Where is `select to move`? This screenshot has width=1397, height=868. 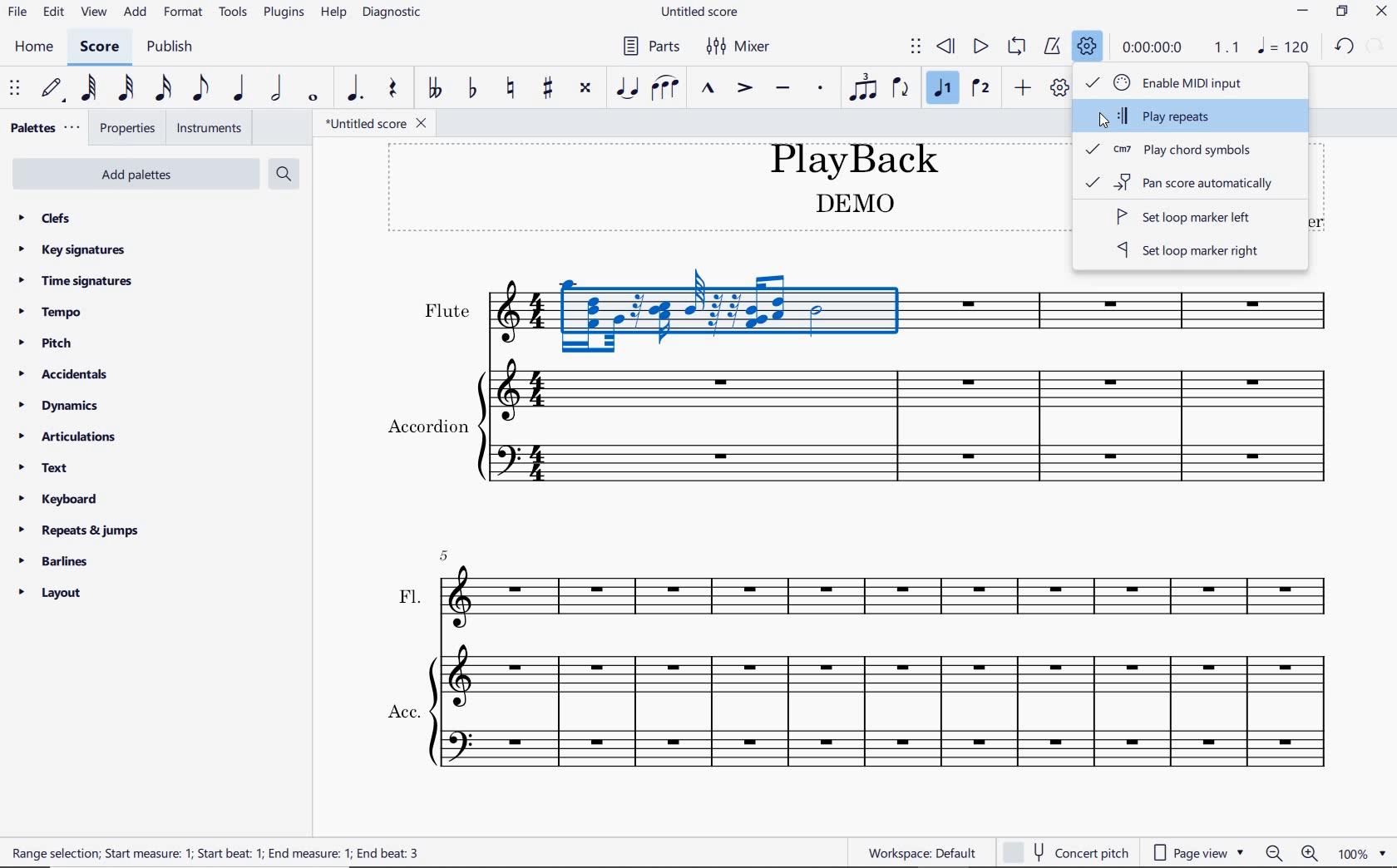
select to move is located at coordinates (16, 89).